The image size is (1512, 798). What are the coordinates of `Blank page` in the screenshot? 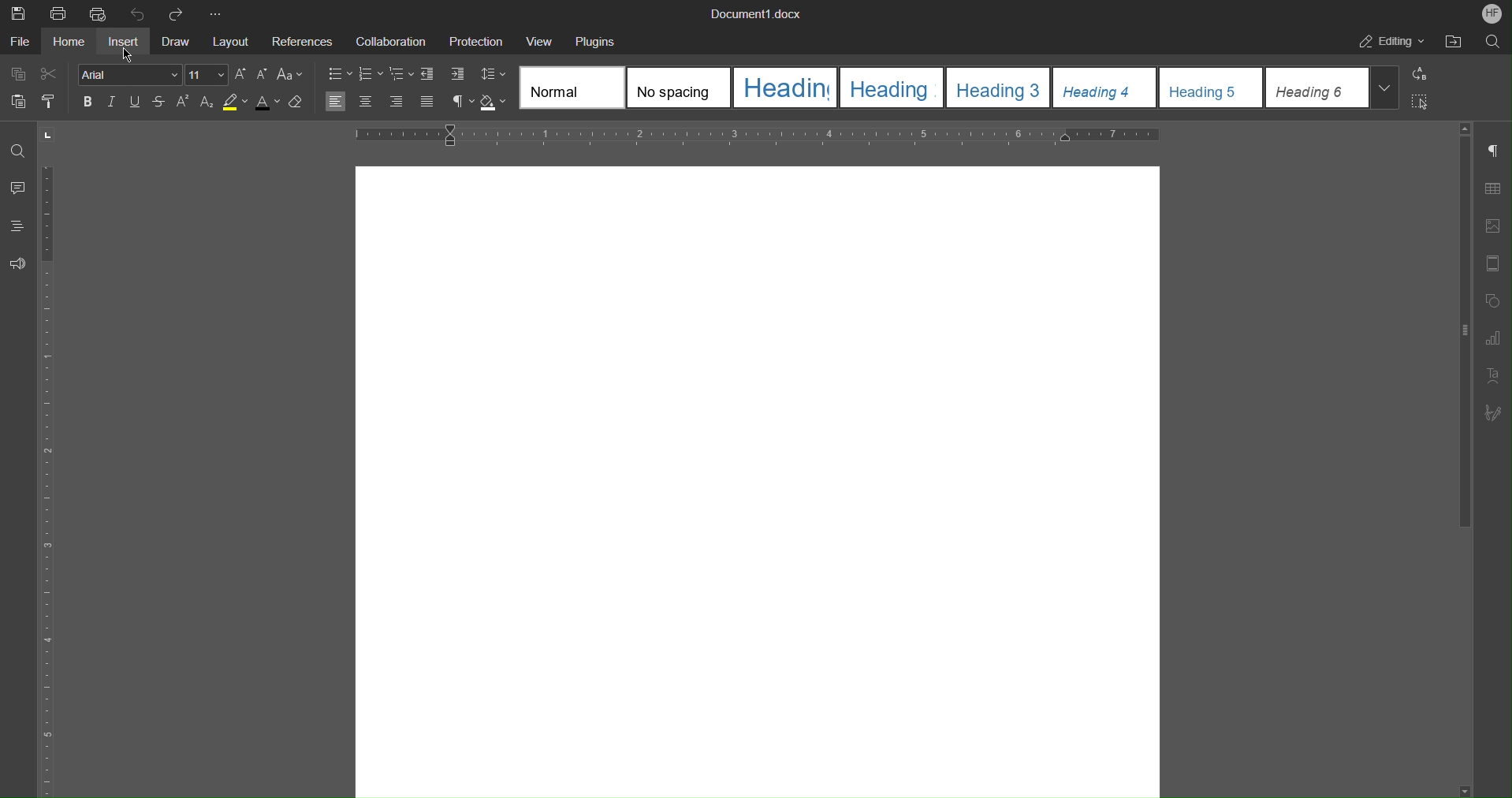 It's located at (757, 476).